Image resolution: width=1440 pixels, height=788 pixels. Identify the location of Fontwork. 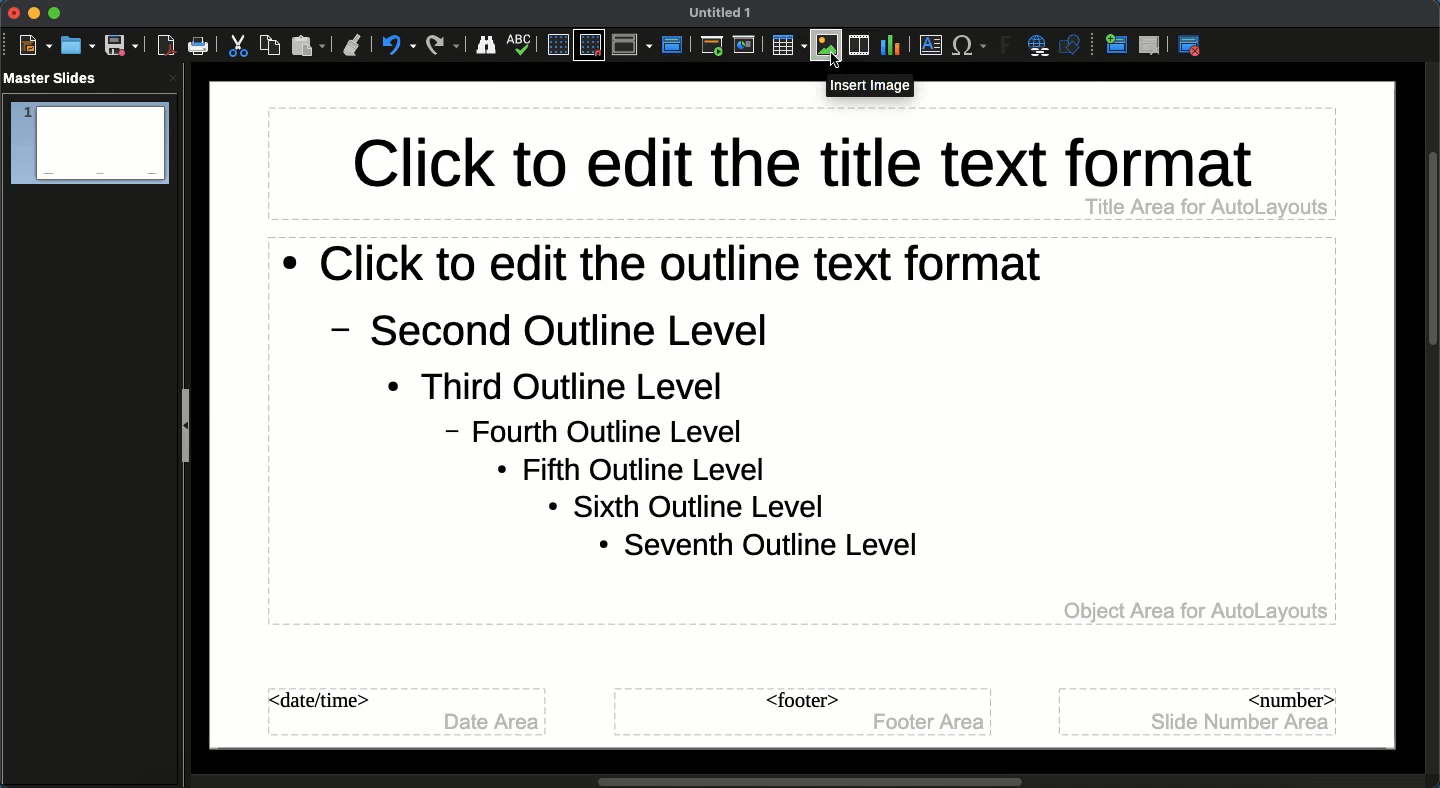
(1003, 45).